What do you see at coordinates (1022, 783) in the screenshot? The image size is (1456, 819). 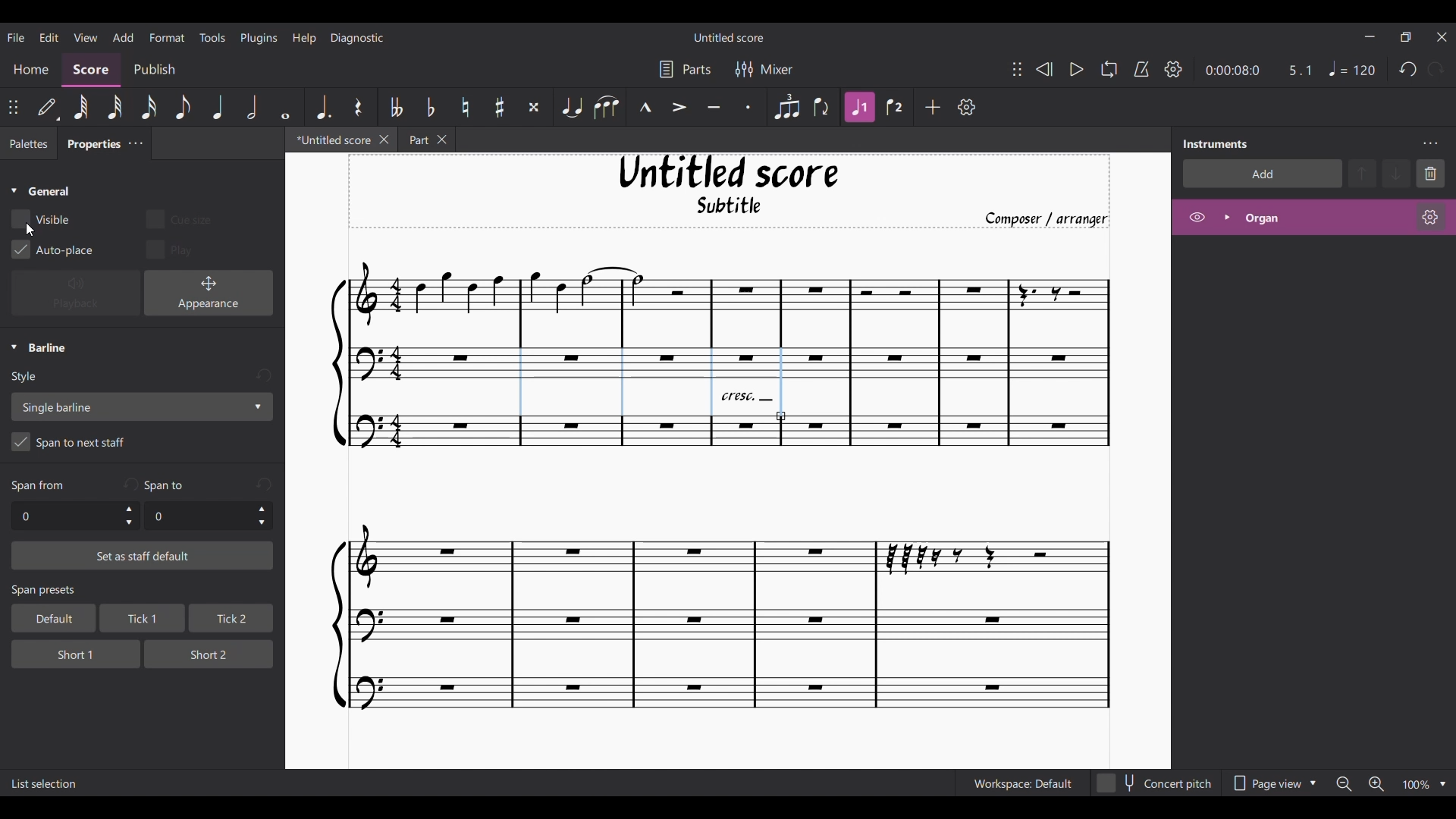 I see `Current workspace setting` at bounding box center [1022, 783].